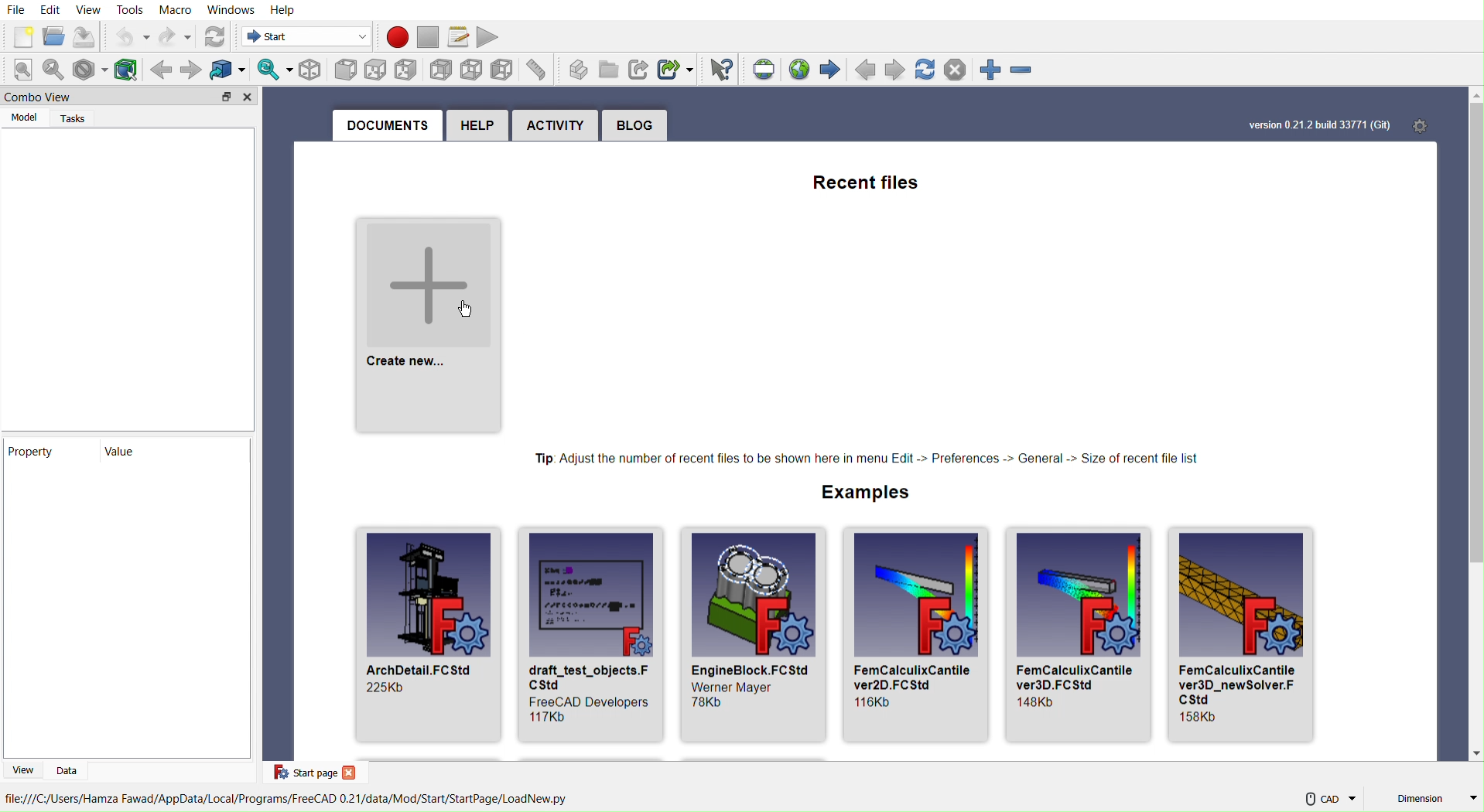 This screenshot has height=812, width=1484. I want to click on Set to rear view, so click(439, 69).